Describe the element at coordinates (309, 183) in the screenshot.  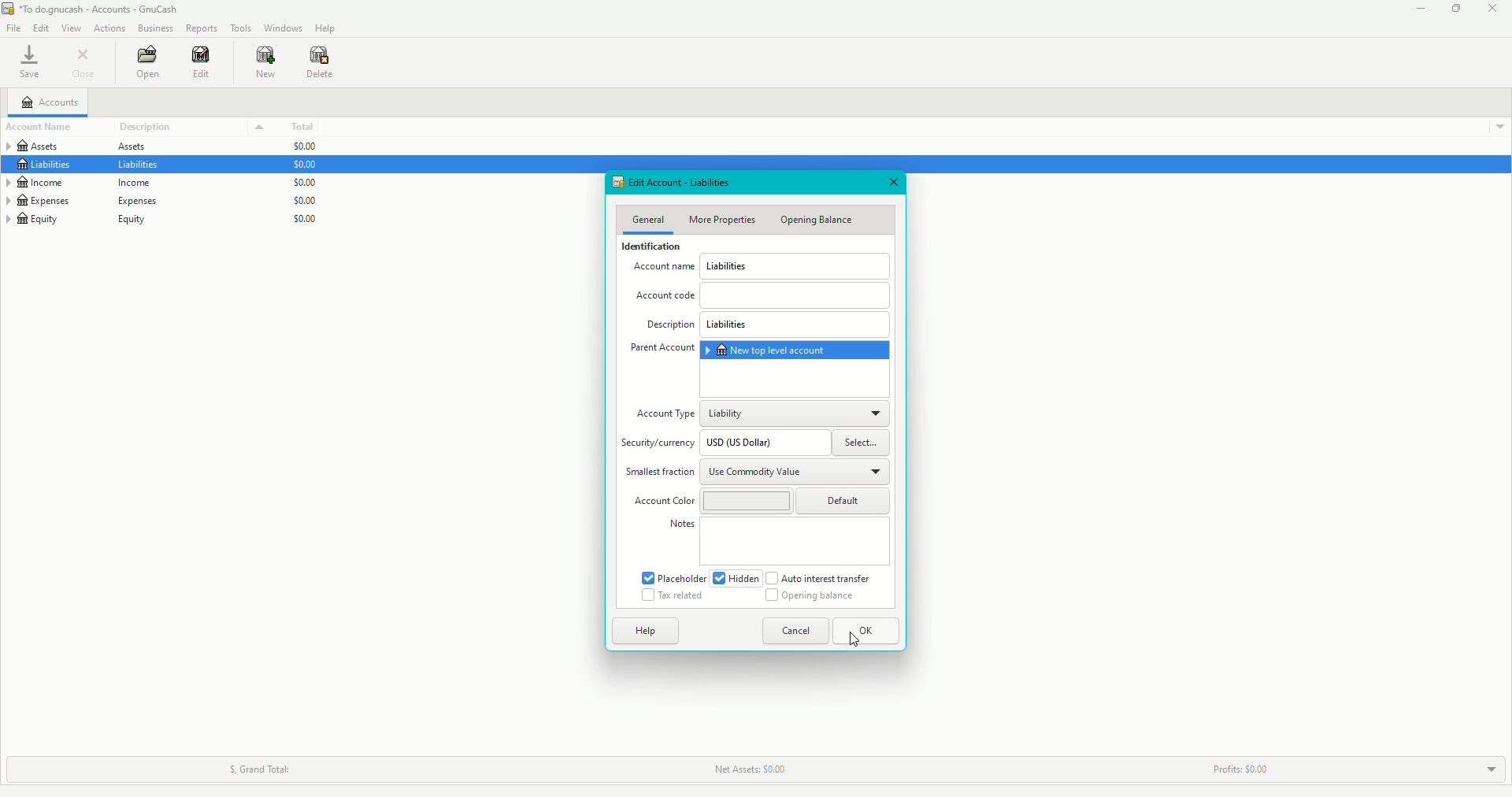
I see `$0` at that location.